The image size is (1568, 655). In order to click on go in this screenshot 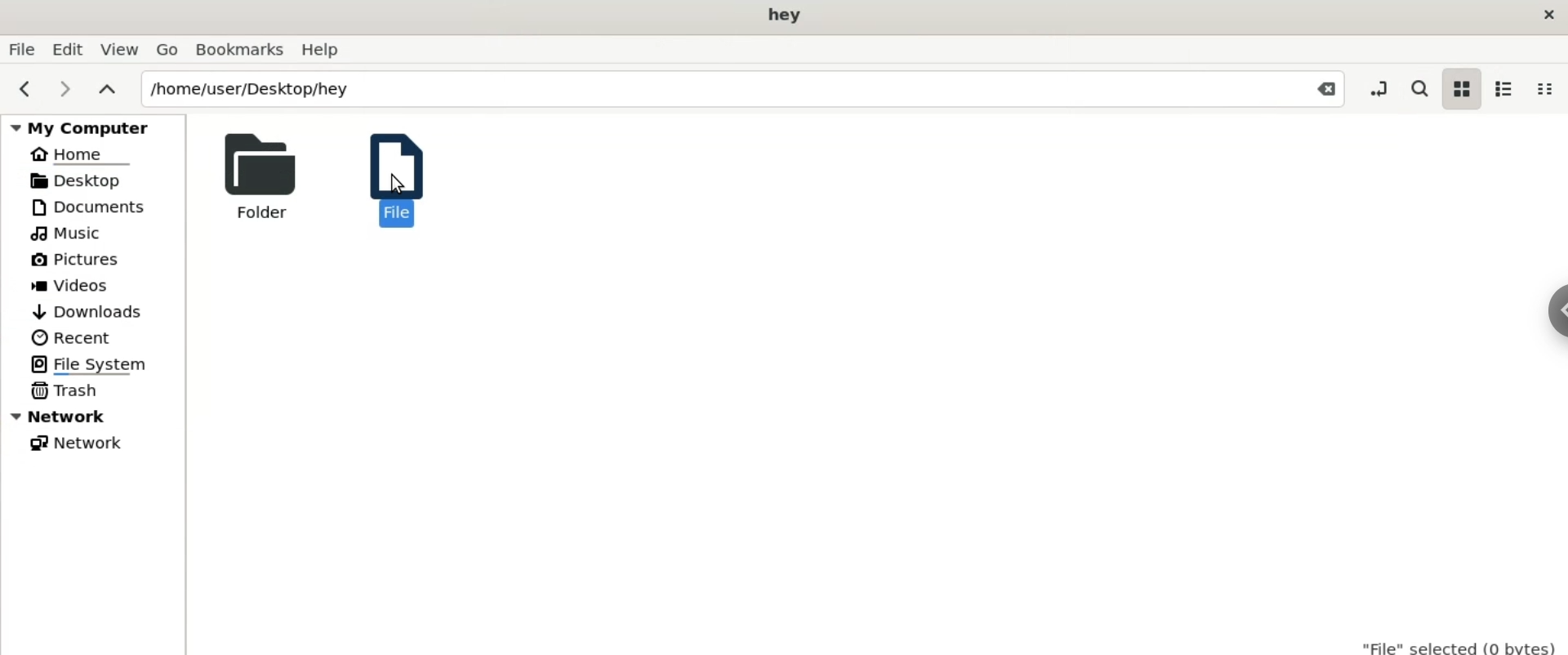, I will do `click(167, 50)`.